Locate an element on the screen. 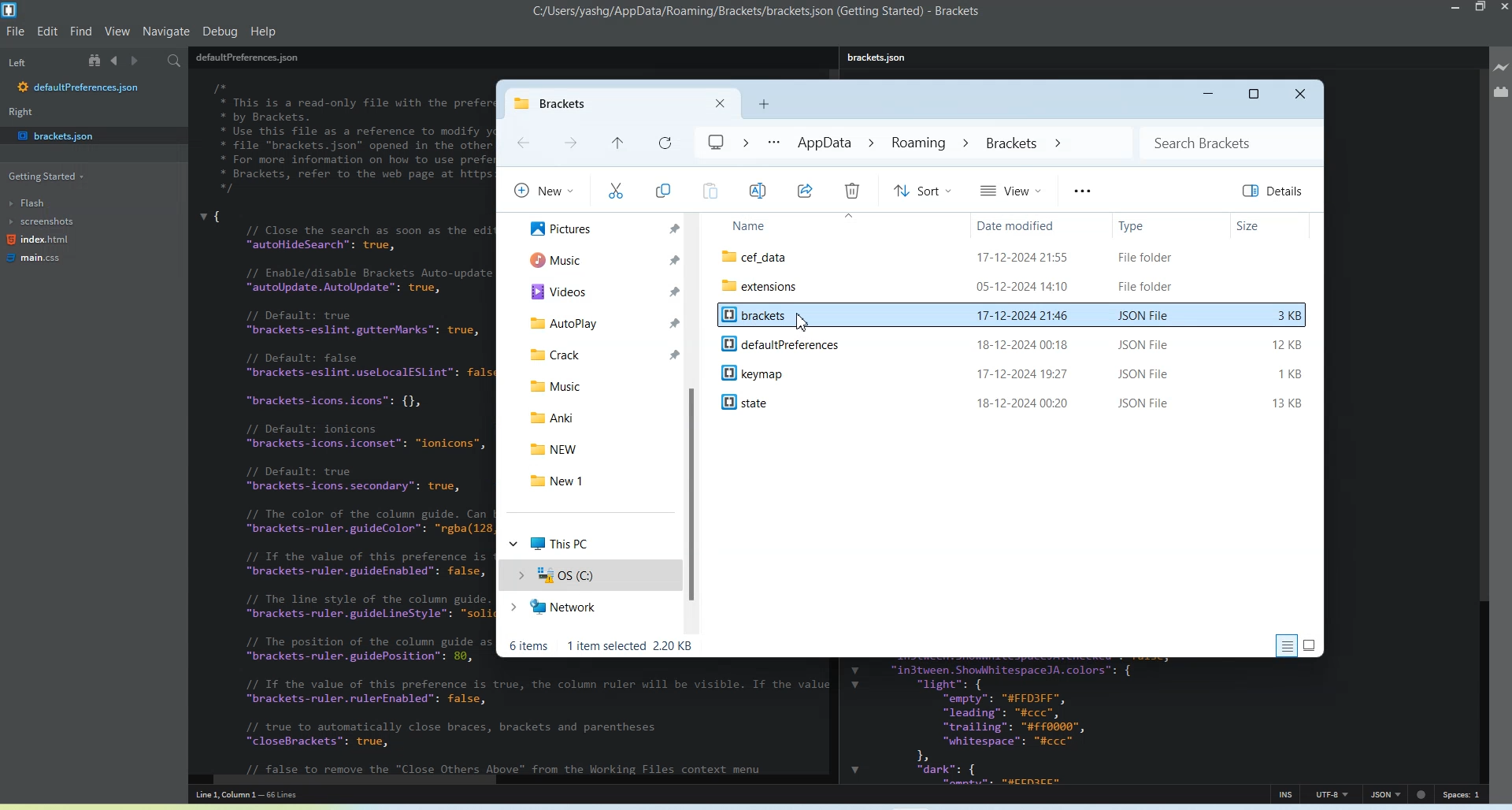  c:/users/yashg/appdata/roaming/brackets/brackets.json (getting started)-brackets is located at coordinates (757, 12).